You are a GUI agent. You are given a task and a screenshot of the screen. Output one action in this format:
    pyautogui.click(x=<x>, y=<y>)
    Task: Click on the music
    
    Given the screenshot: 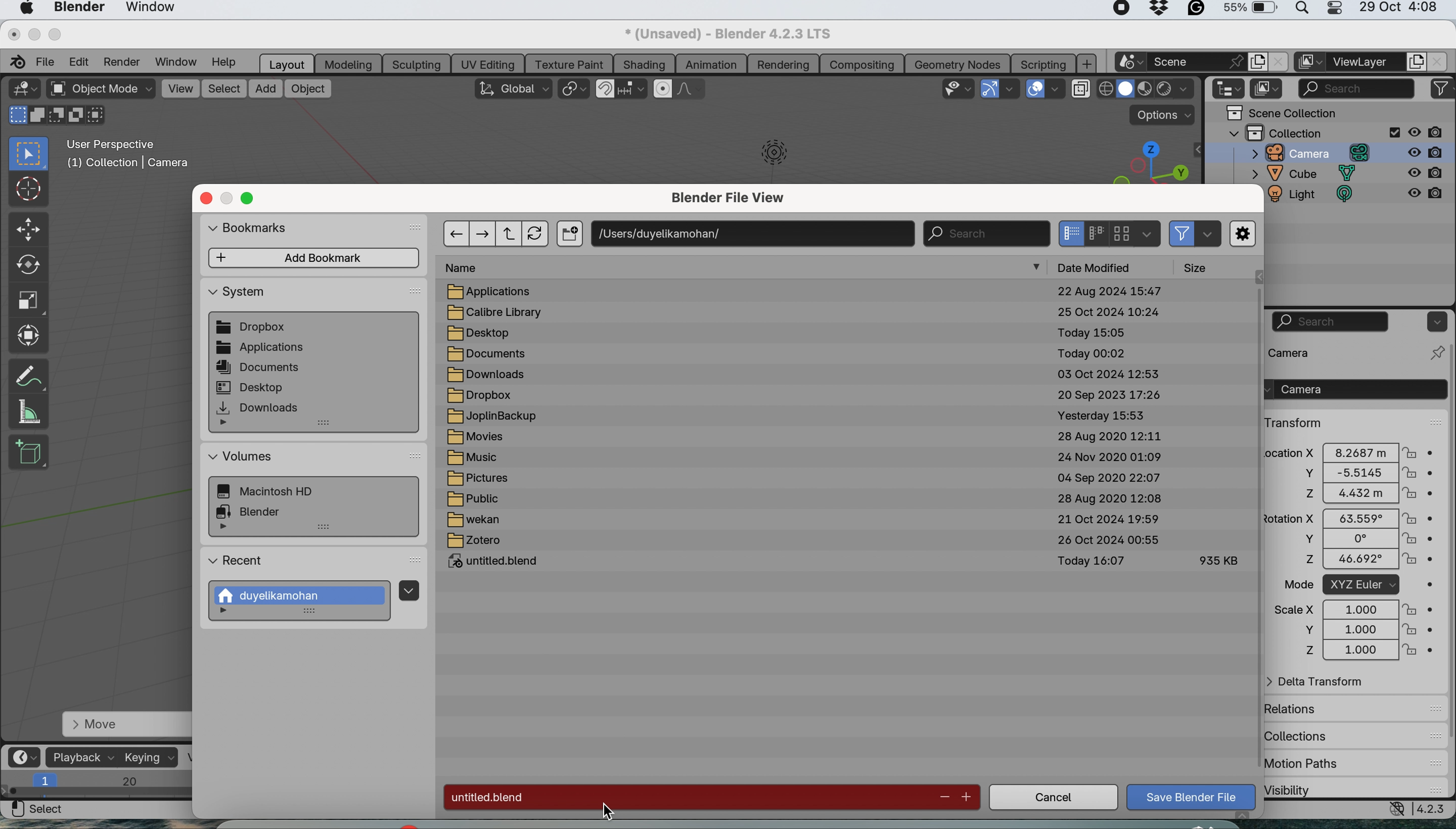 What is the action you would take?
    pyautogui.click(x=480, y=459)
    